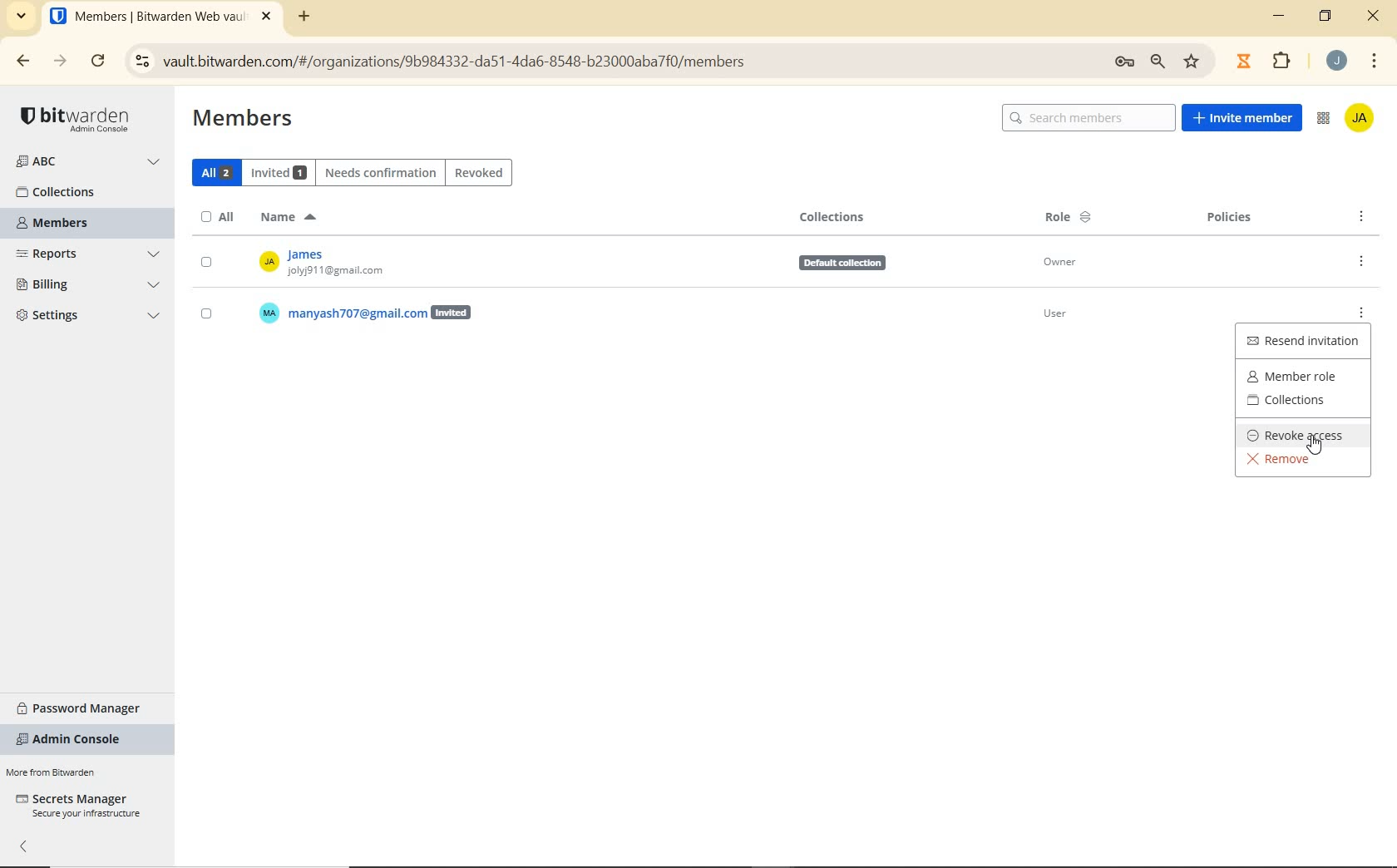  I want to click on ADDRESS BAR, so click(668, 60).